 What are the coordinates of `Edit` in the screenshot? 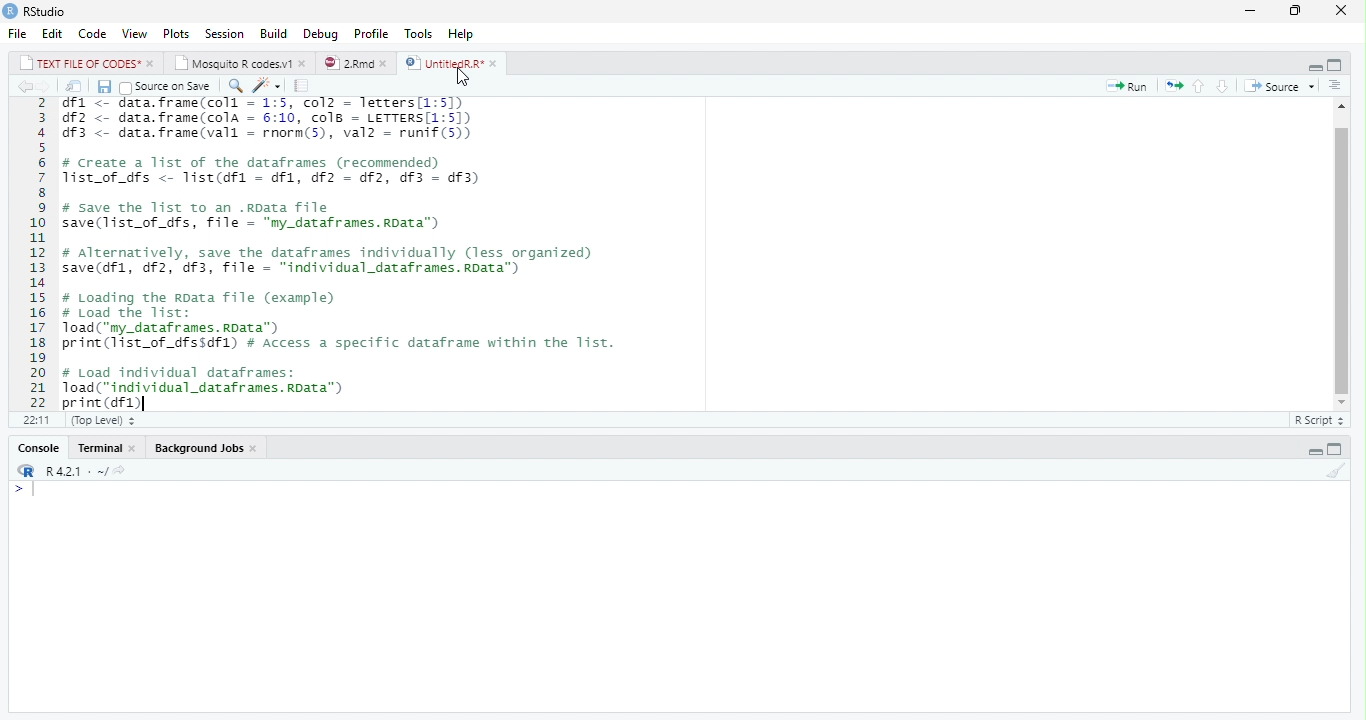 It's located at (53, 33).